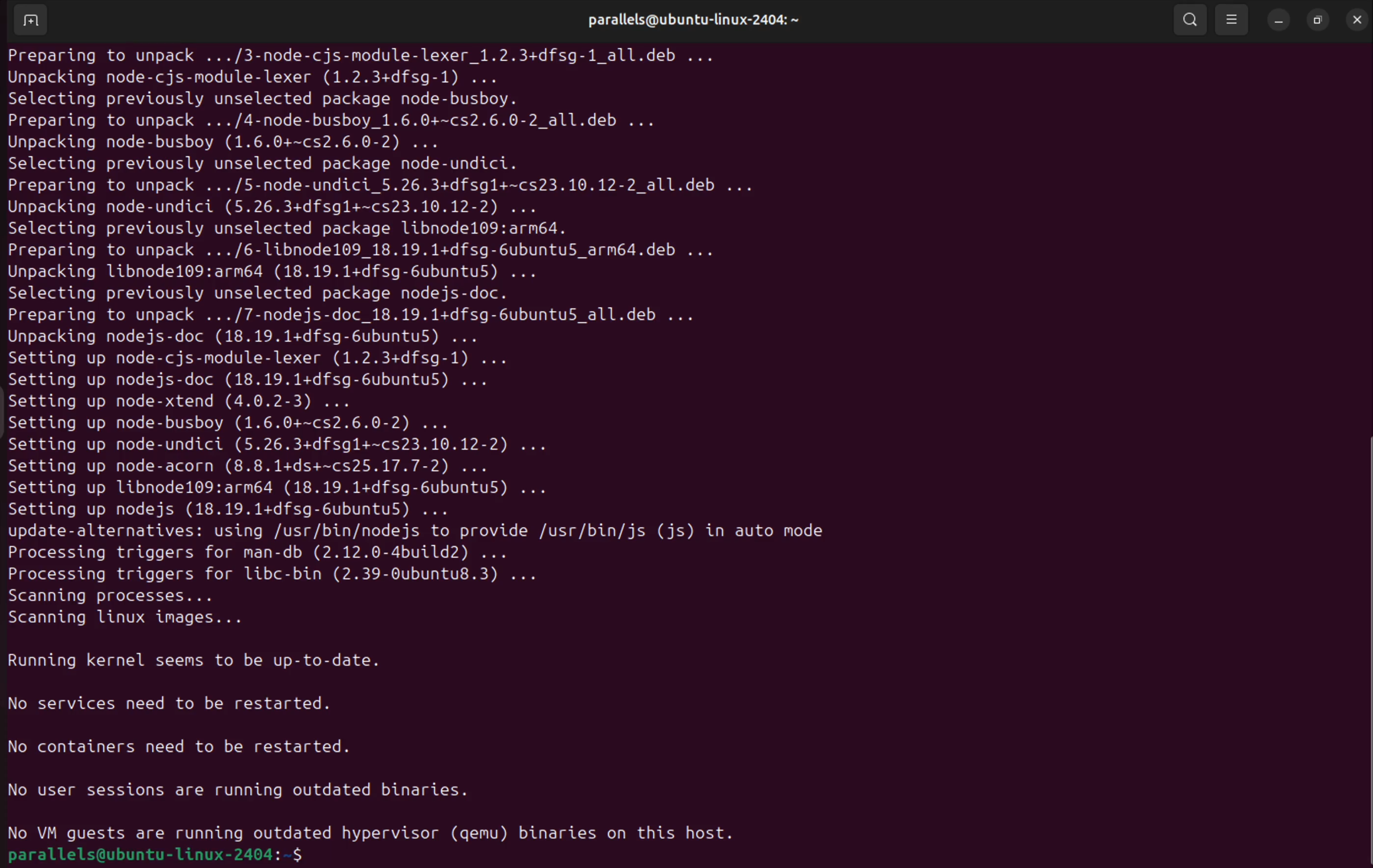 The height and width of the screenshot is (868, 1373). Describe the element at coordinates (191, 745) in the screenshot. I see `No containers need to be restarted.` at that location.